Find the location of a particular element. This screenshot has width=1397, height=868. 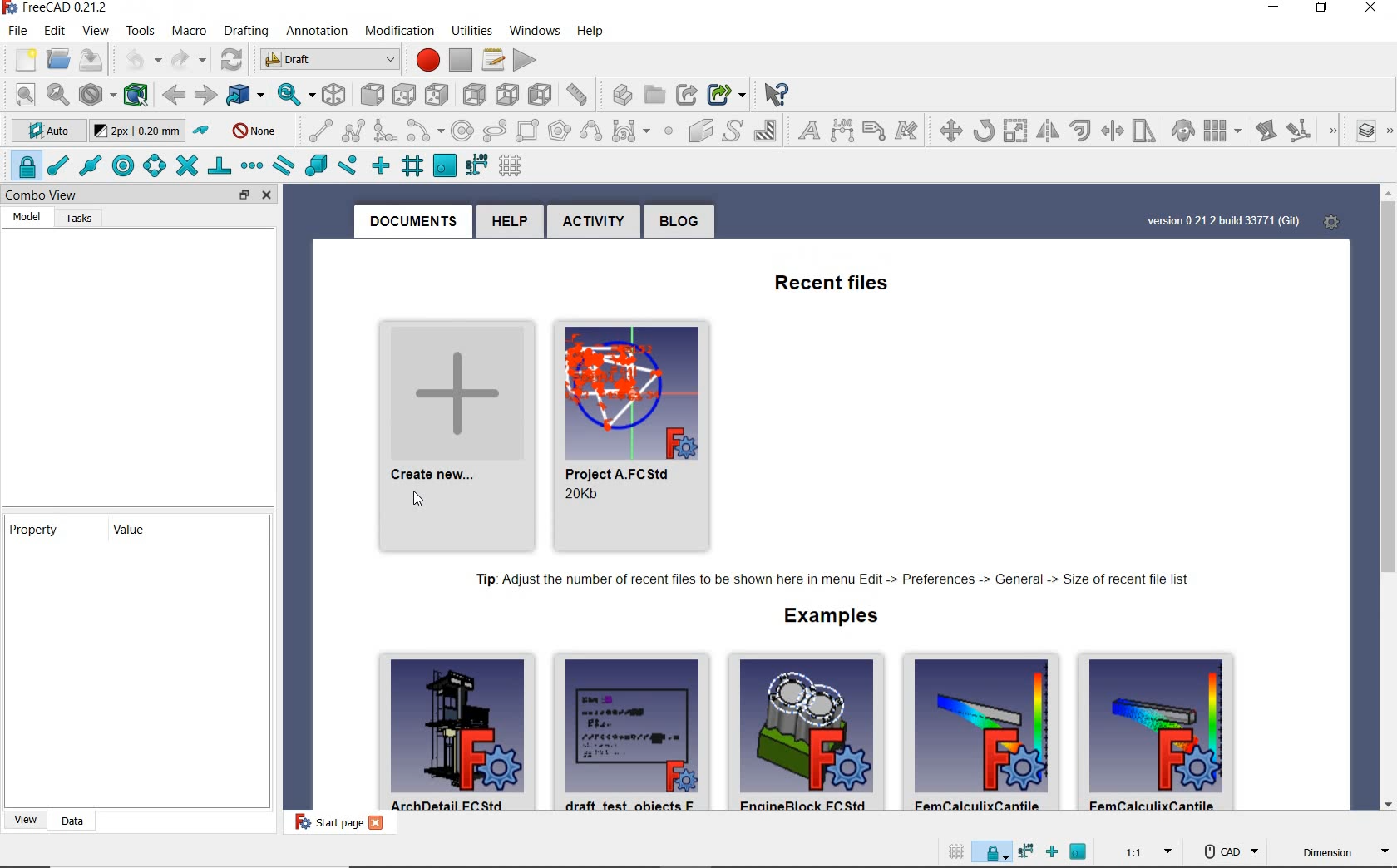

close is located at coordinates (272, 196).